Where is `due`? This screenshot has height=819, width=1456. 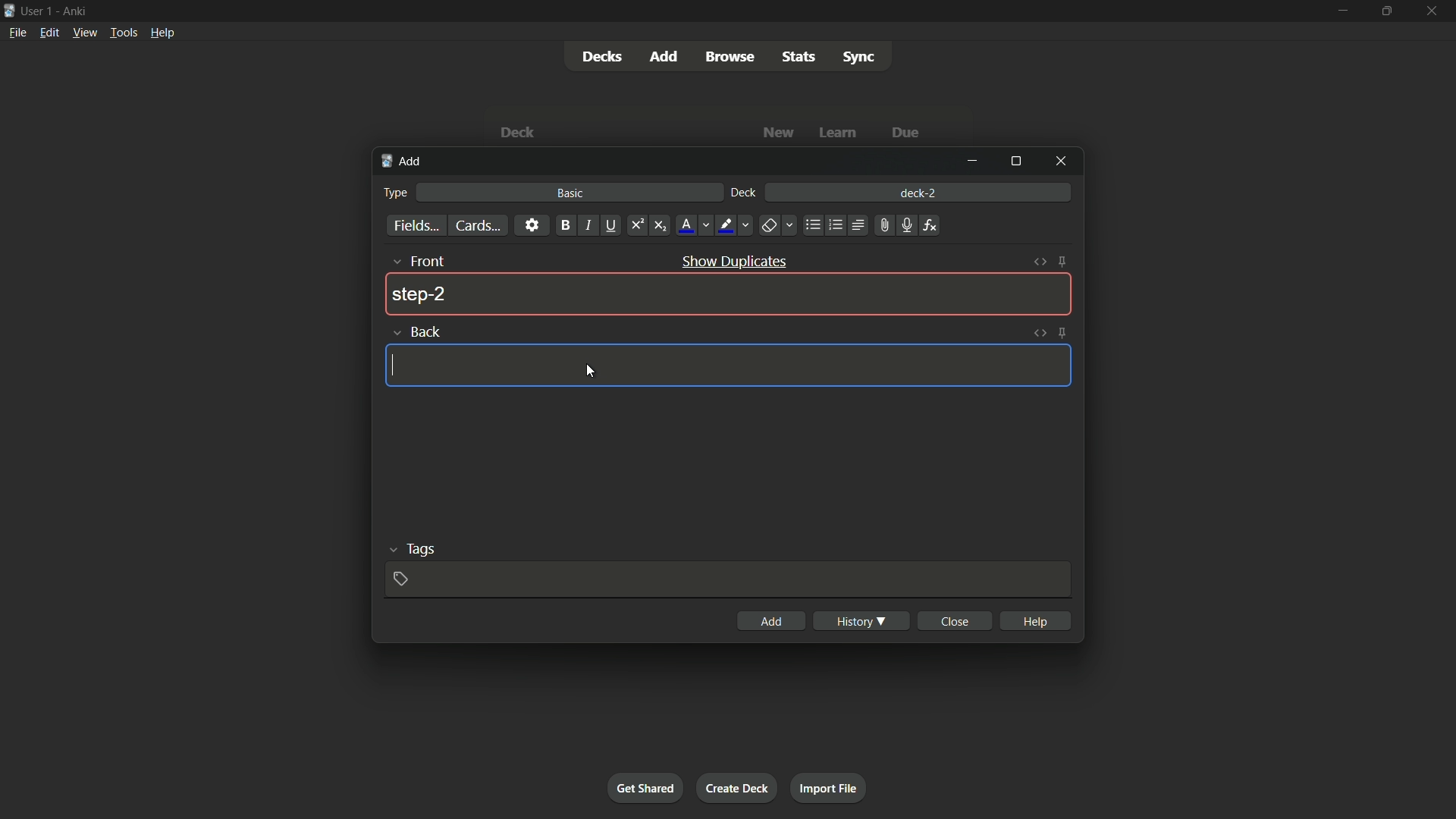 due is located at coordinates (903, 133).